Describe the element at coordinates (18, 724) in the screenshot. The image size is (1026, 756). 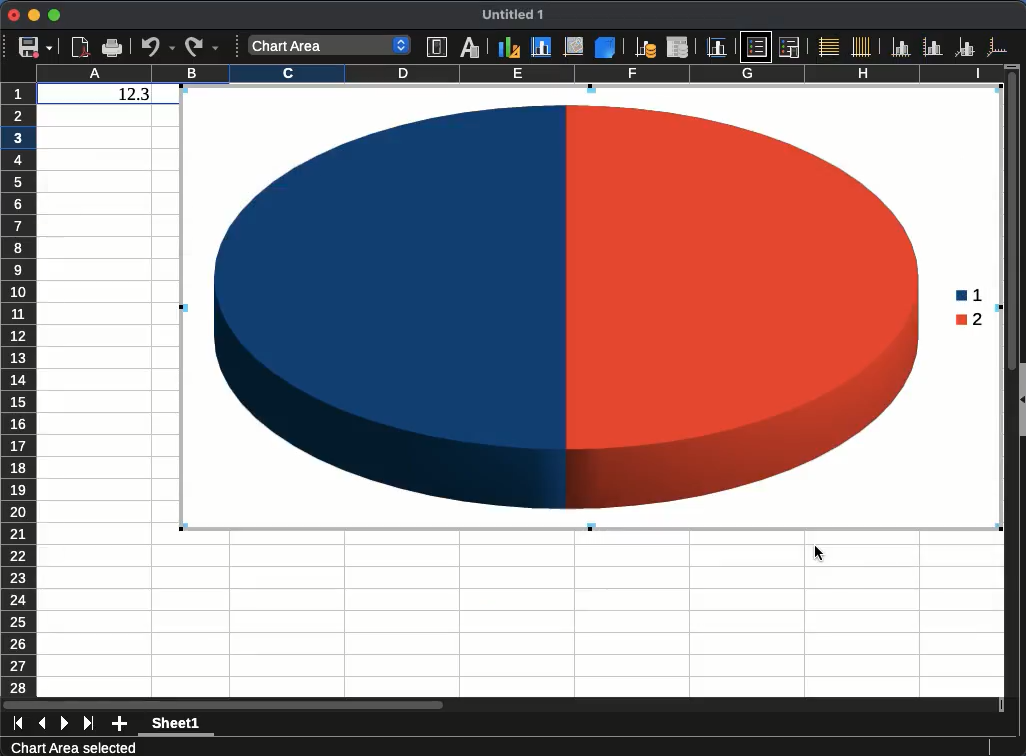
I see `first sheet` at that location.